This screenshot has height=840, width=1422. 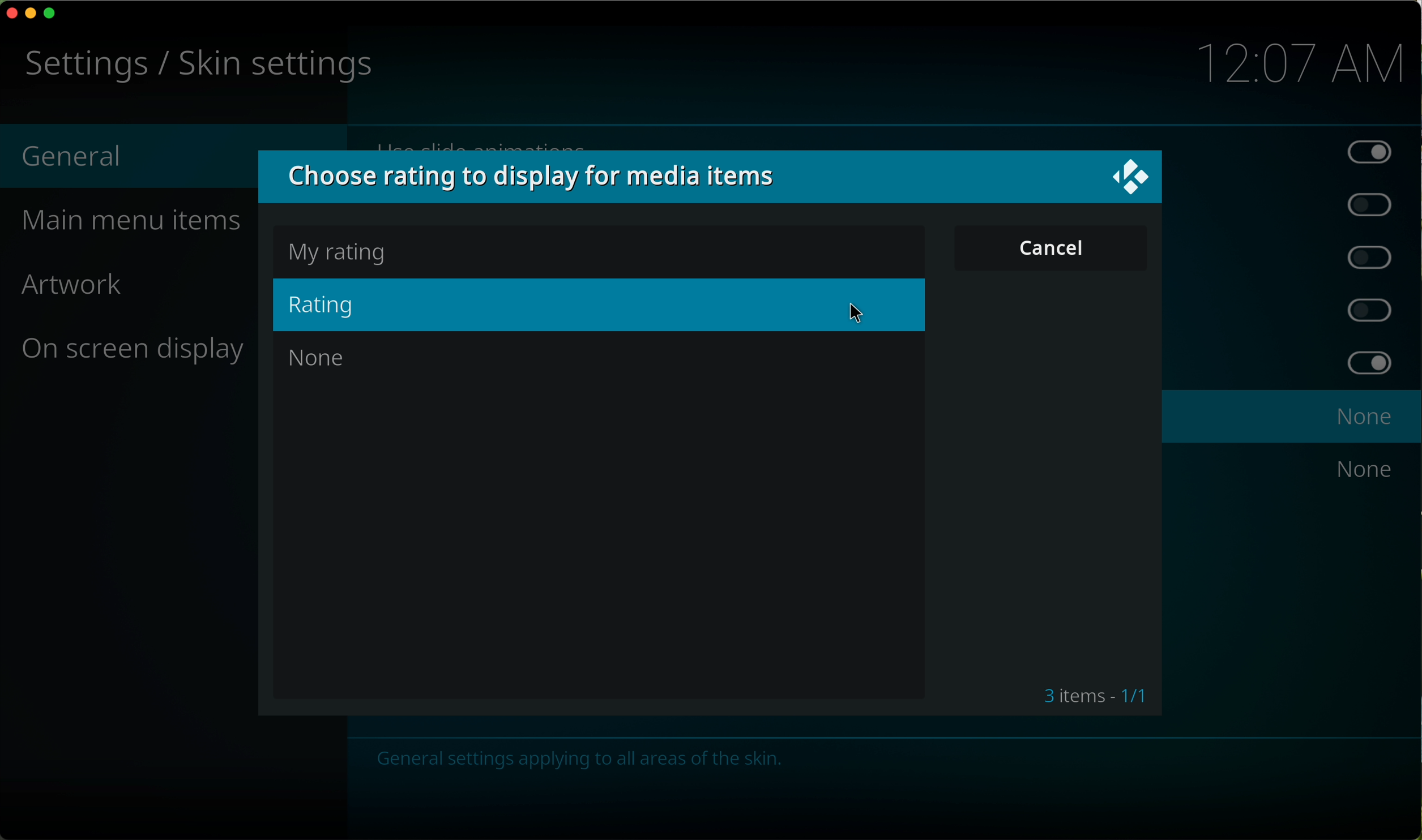 I want to click on Kodi, so click(x=1131, y=178).